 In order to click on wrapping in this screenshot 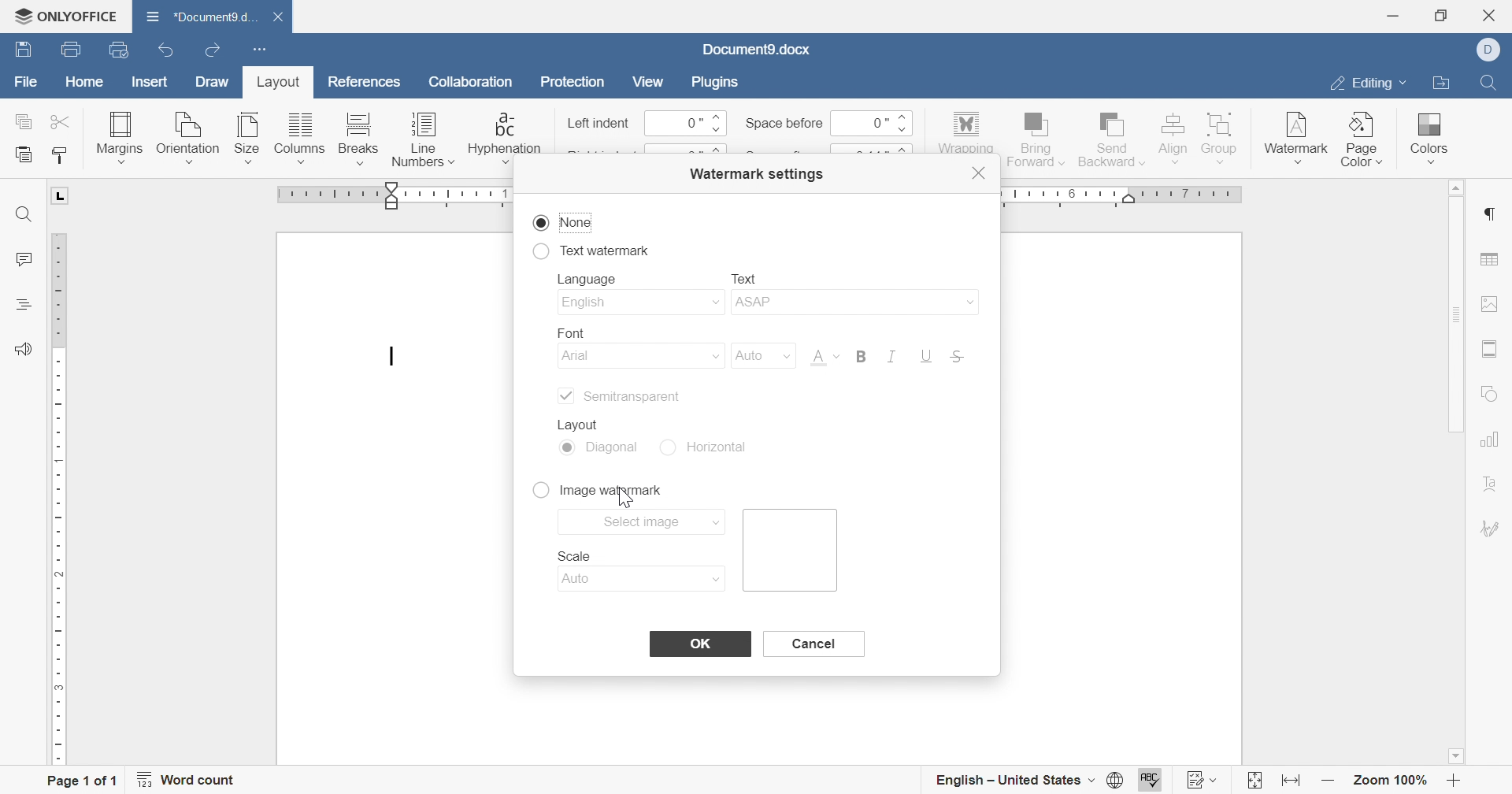, I will do `click(965, 133)`.